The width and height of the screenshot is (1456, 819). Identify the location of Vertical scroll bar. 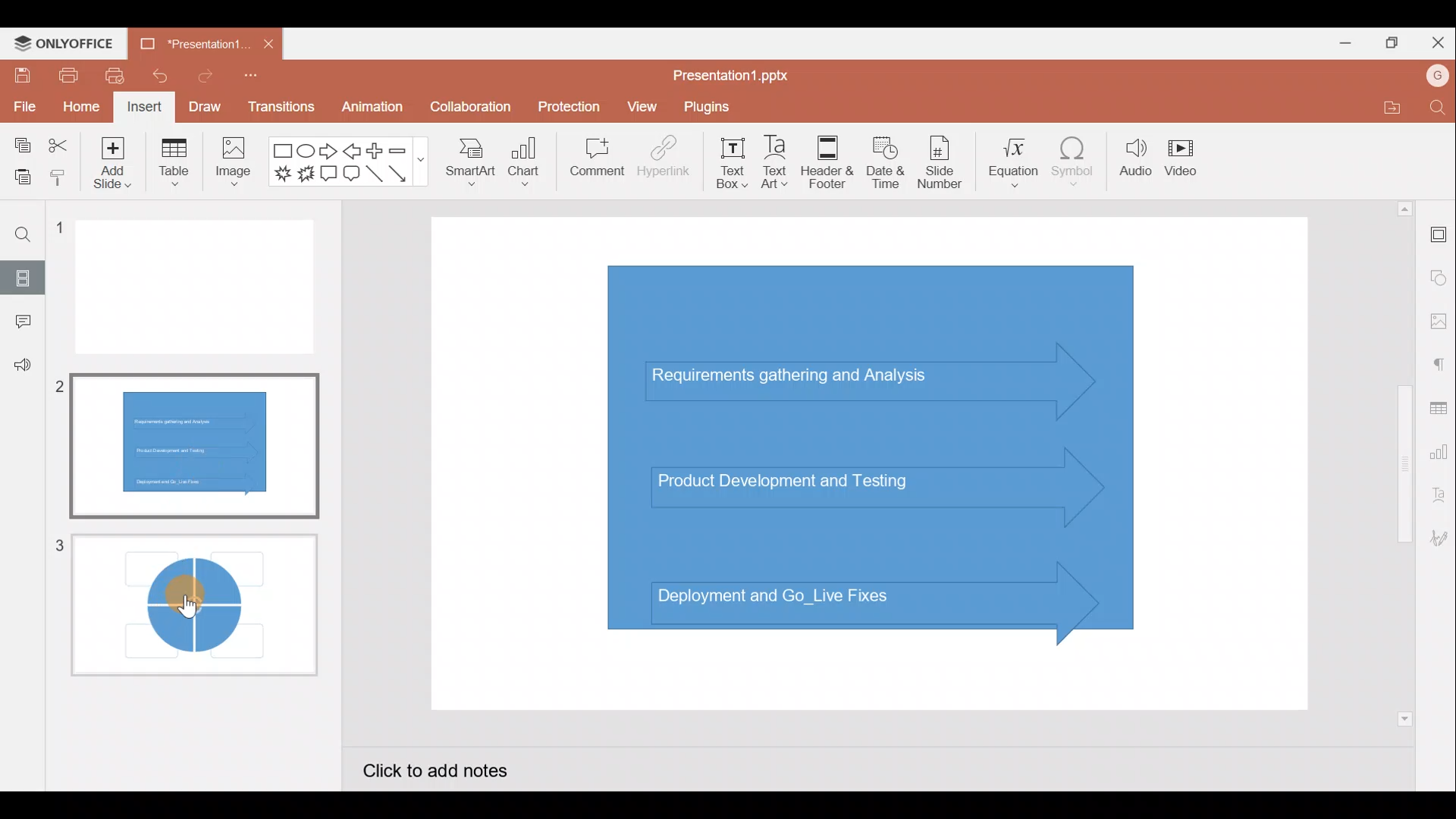
(1401, 462).